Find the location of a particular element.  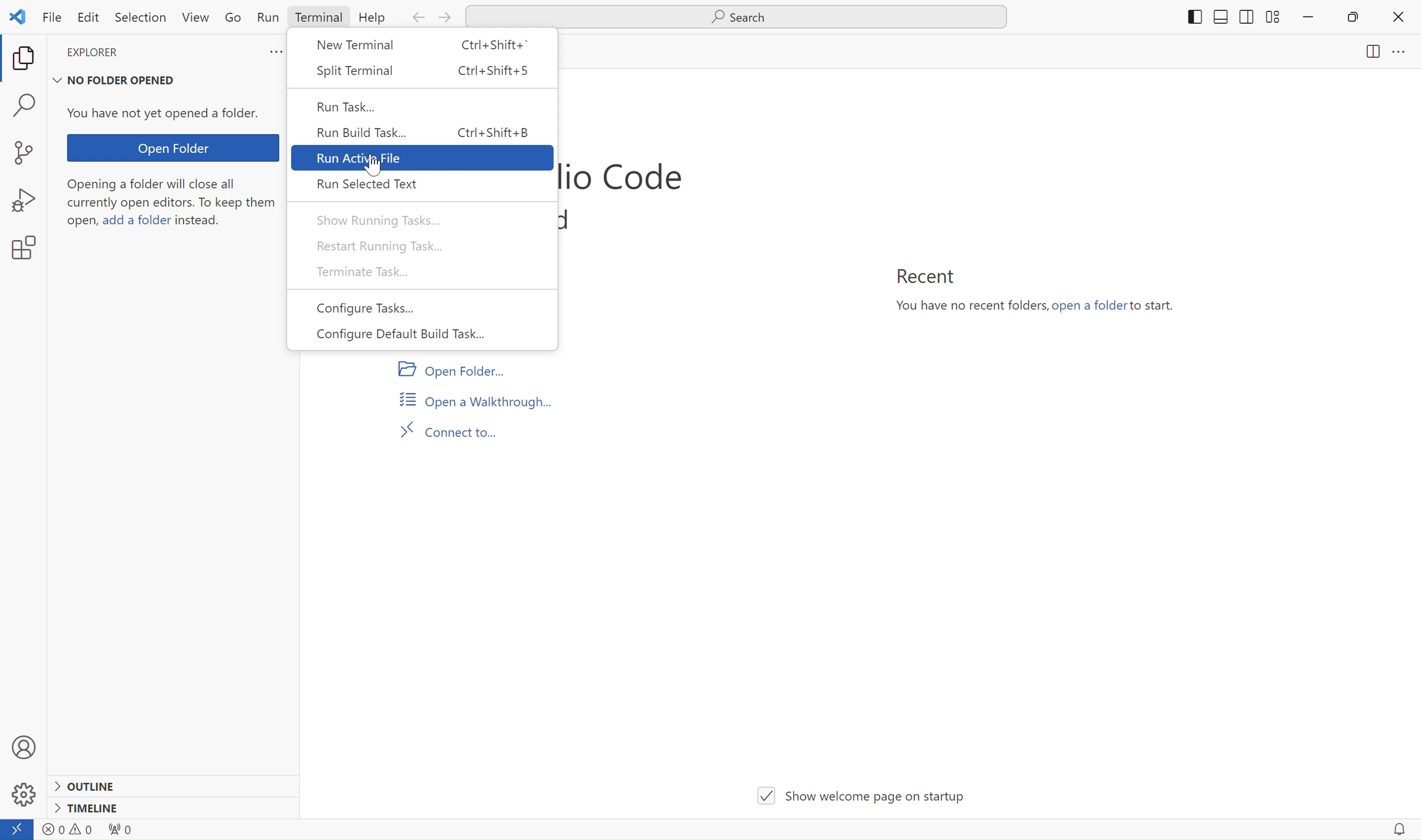

Opening a folder will close all currently open editors. To keep them open, add a folder instead is located at coordinates (173, 208).